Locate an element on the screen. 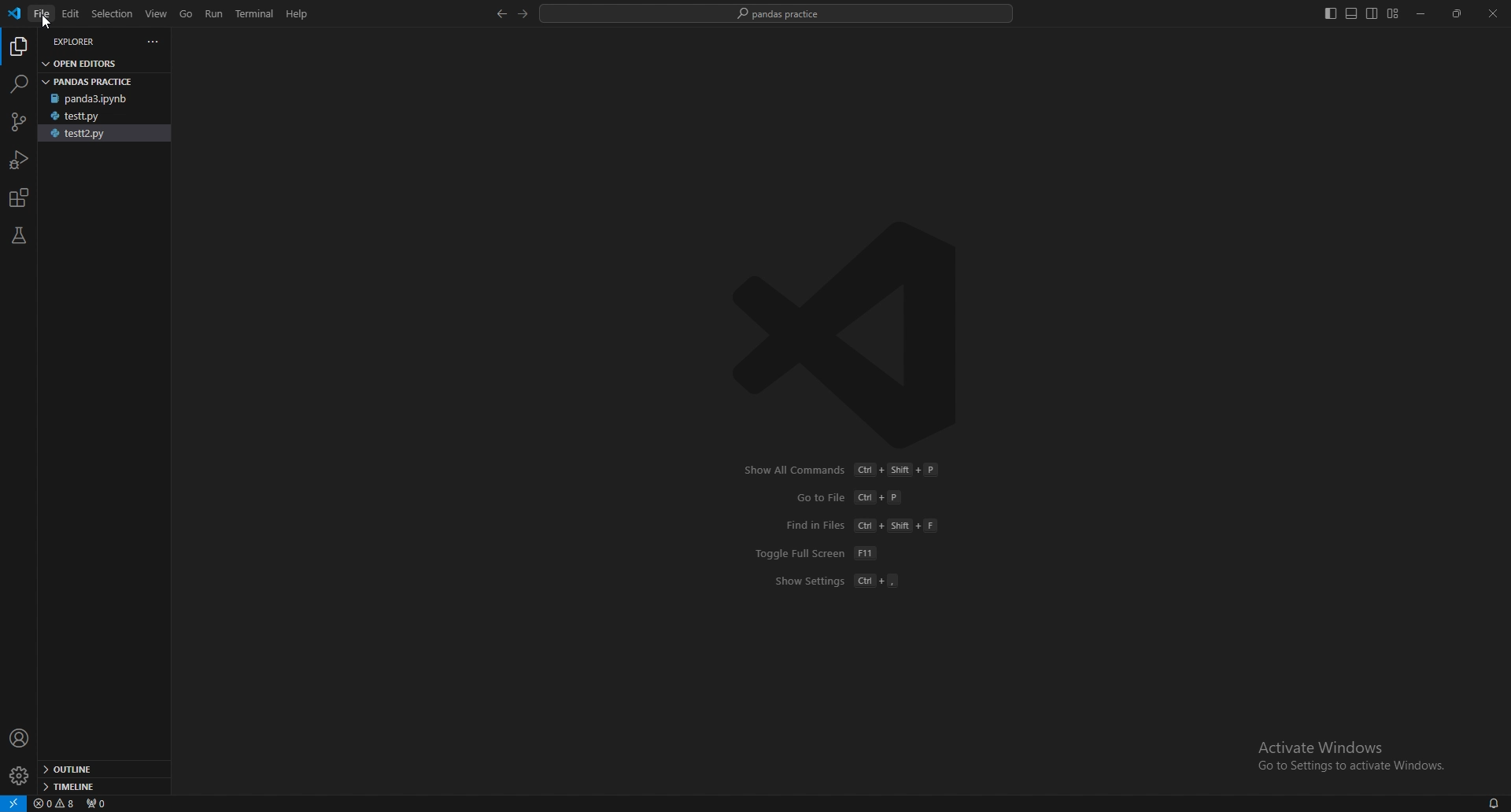 This screenshot has height=812, width=1511. Help is located at coordinates (296, 14).